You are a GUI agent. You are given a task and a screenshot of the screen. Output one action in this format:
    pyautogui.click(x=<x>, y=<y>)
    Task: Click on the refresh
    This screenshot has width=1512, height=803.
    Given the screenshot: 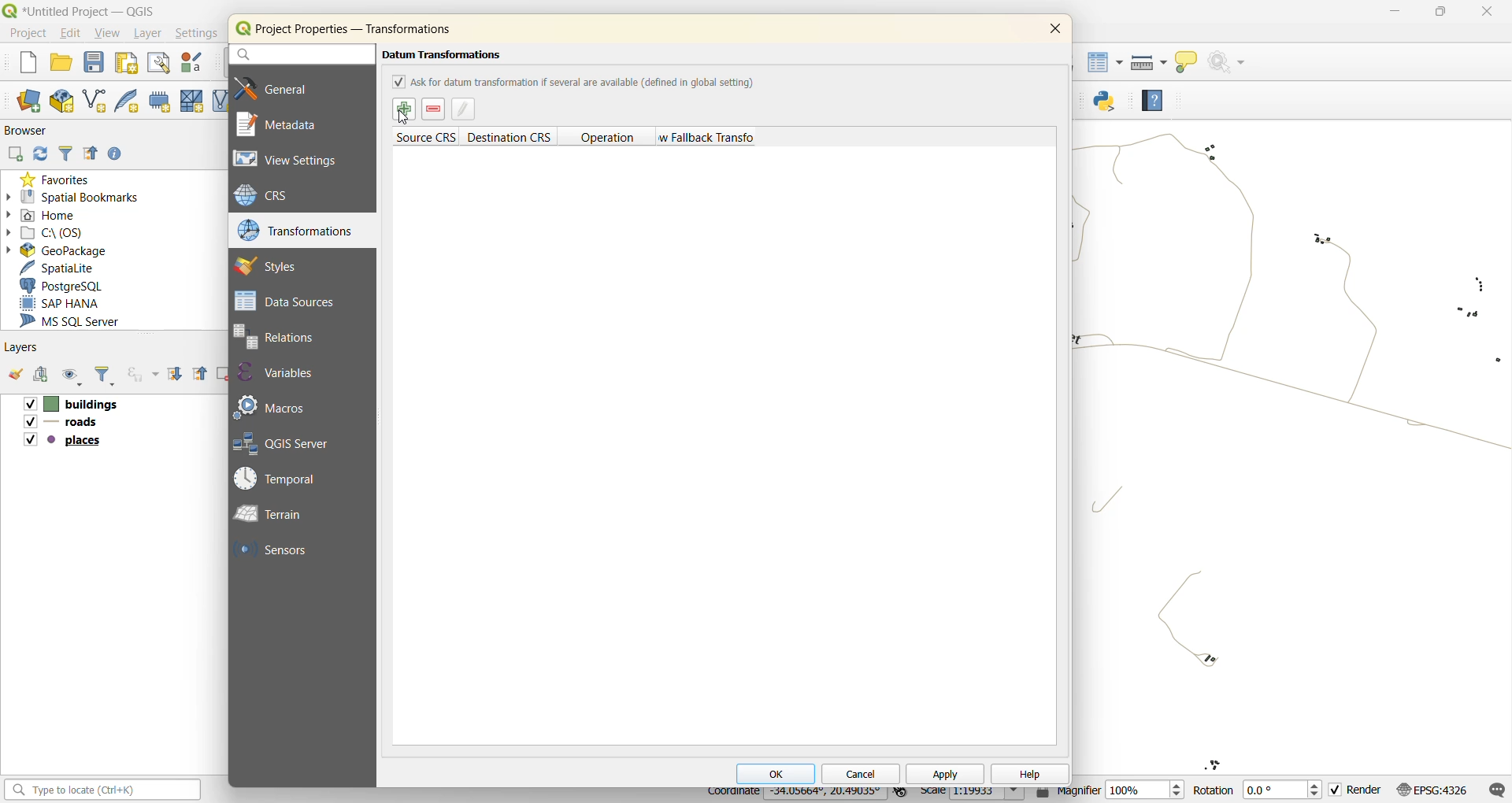 What is the action you would take?
    pyautogui.click(x=39, y=154)
    